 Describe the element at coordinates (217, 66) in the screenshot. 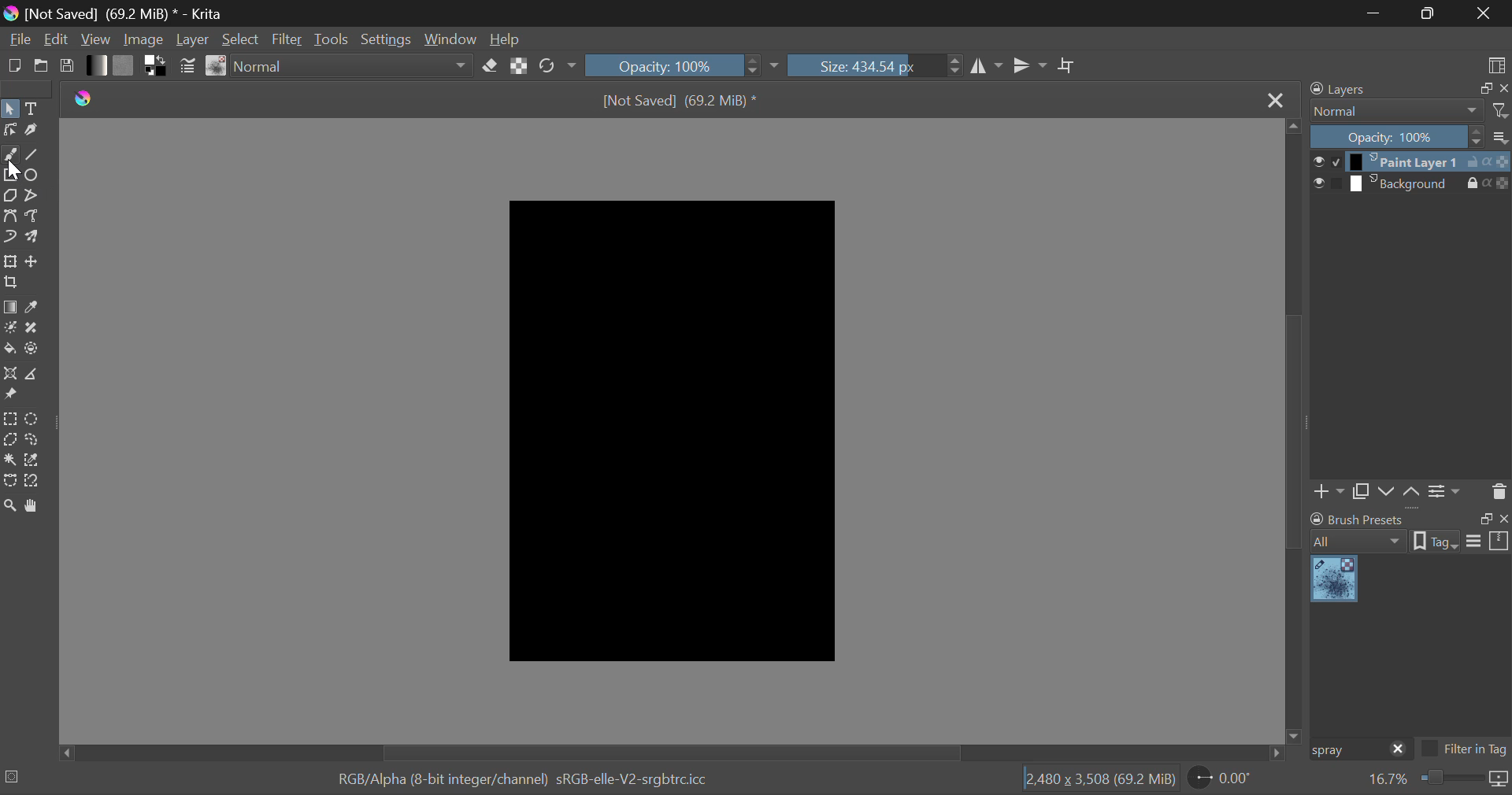

I see `Brush Presets` at that location.